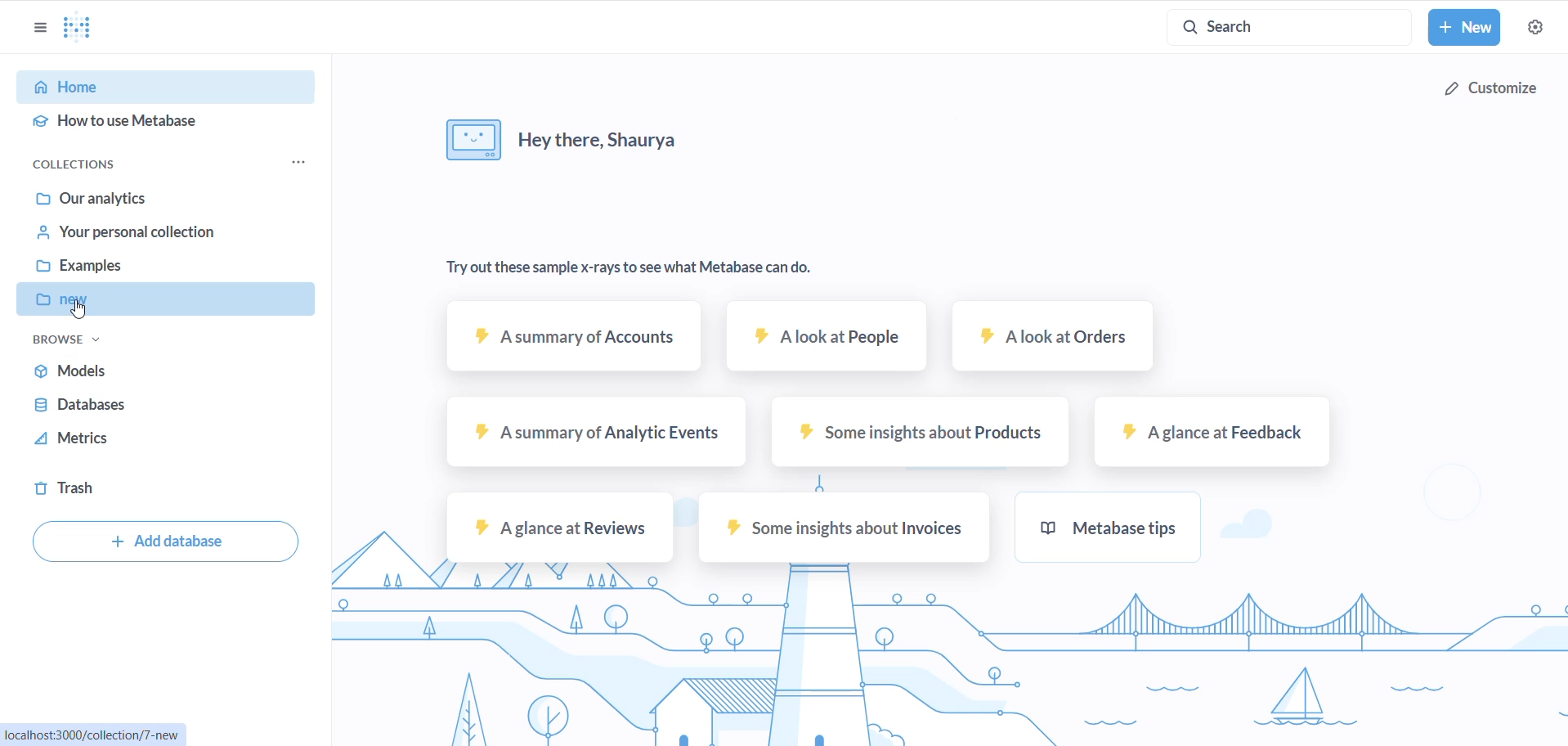  Describe the element at coordinates (164, 544) in the screenshot. I see `add database` at that location.